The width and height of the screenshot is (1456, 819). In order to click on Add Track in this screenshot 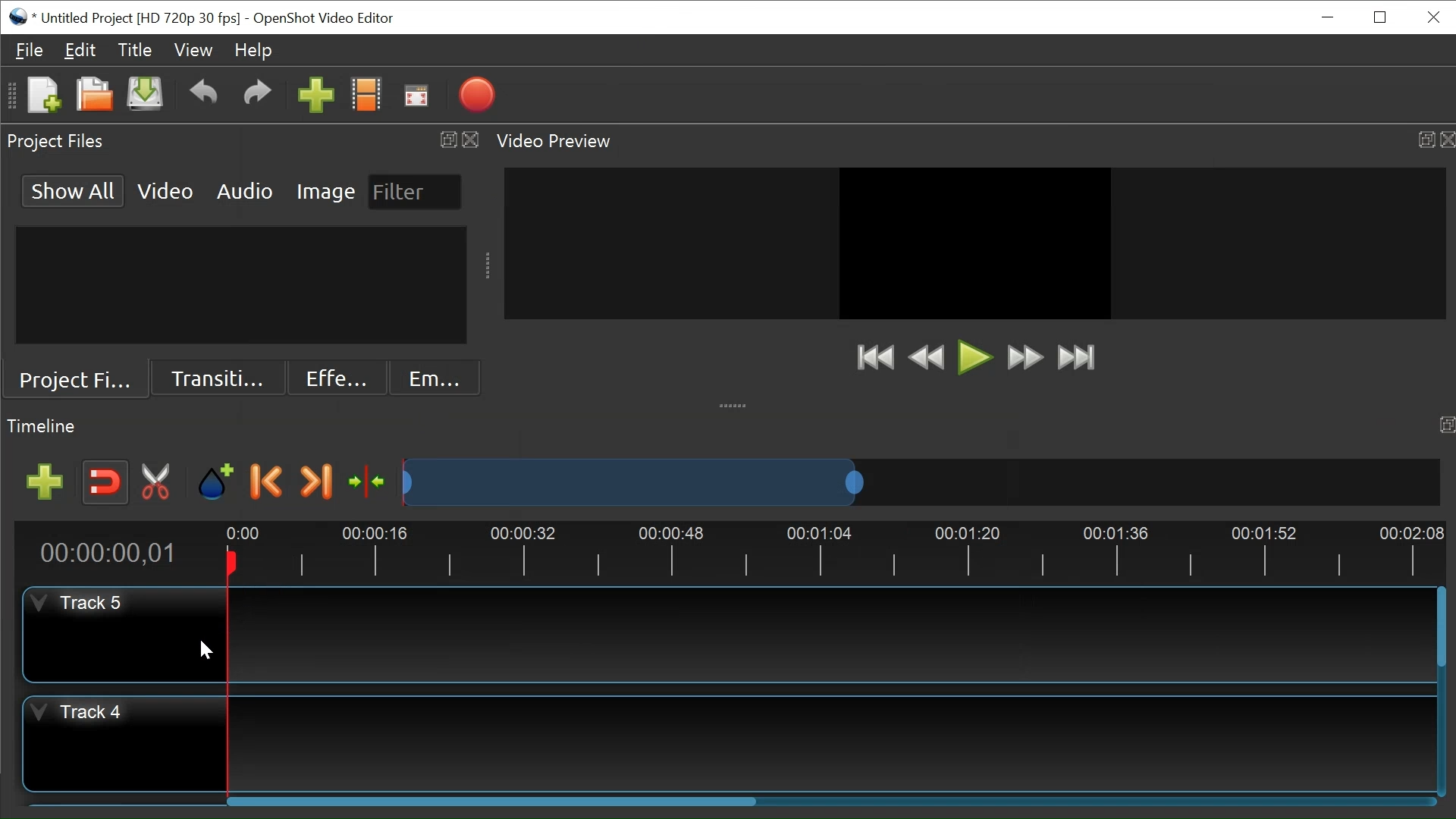, I will do `click(48, 482)`.